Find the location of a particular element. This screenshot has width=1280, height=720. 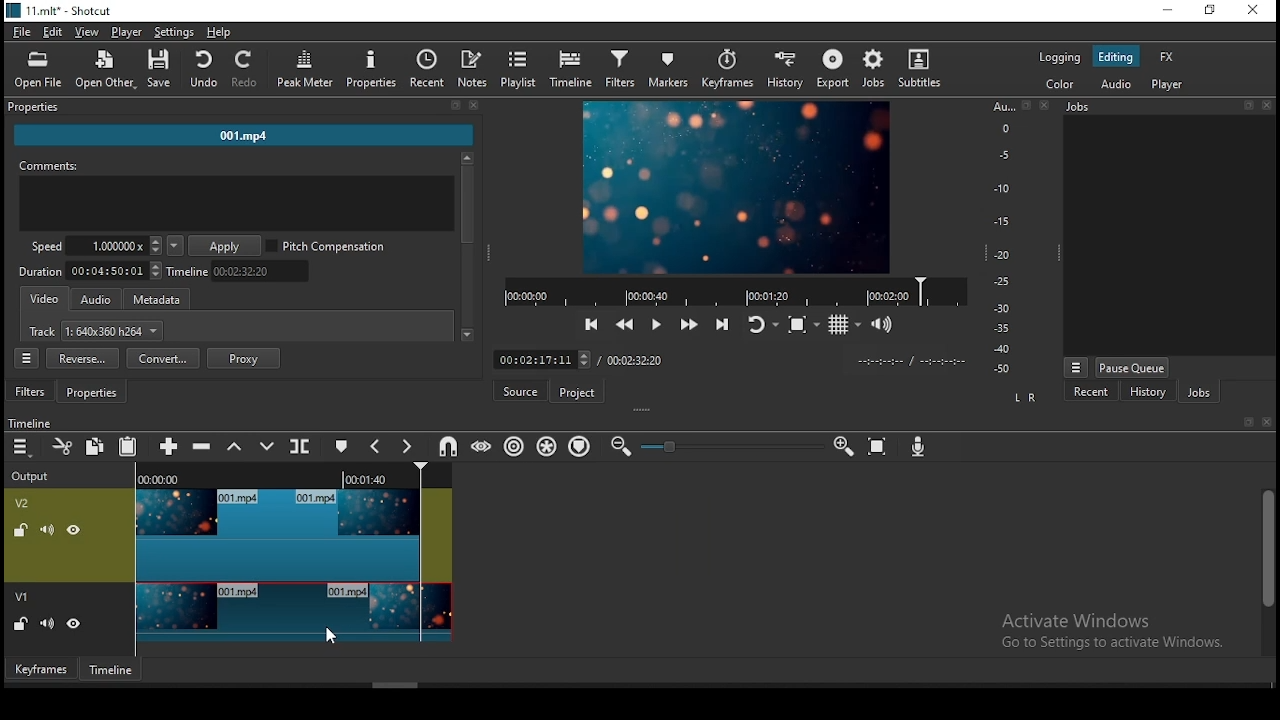

zoom timeline to fit is located at coordinates (879, 443).